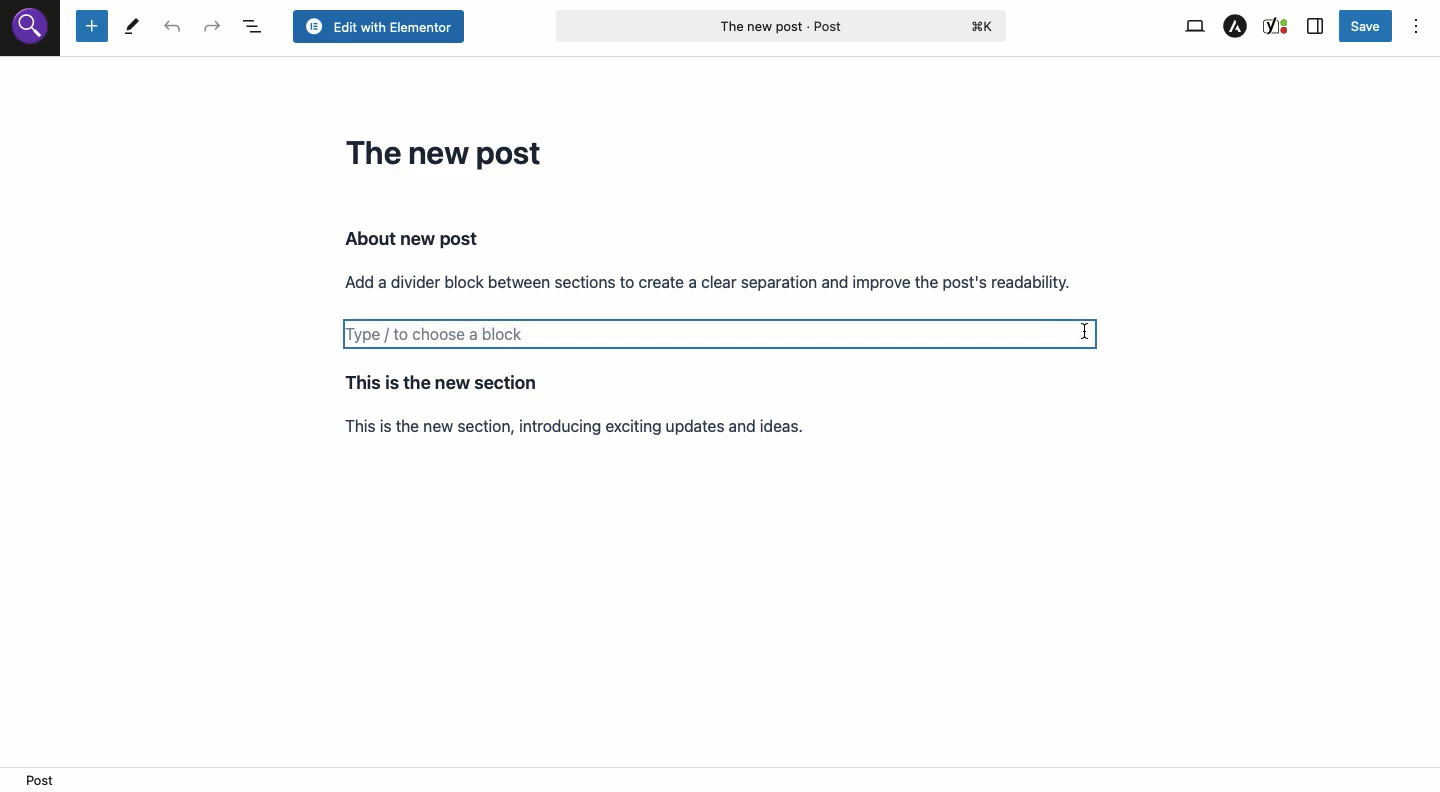 The width and height of the screenshot is (1440, 792). Describe the element at coordinates (722, 779) in the screenshot. I see `Location` at that location.